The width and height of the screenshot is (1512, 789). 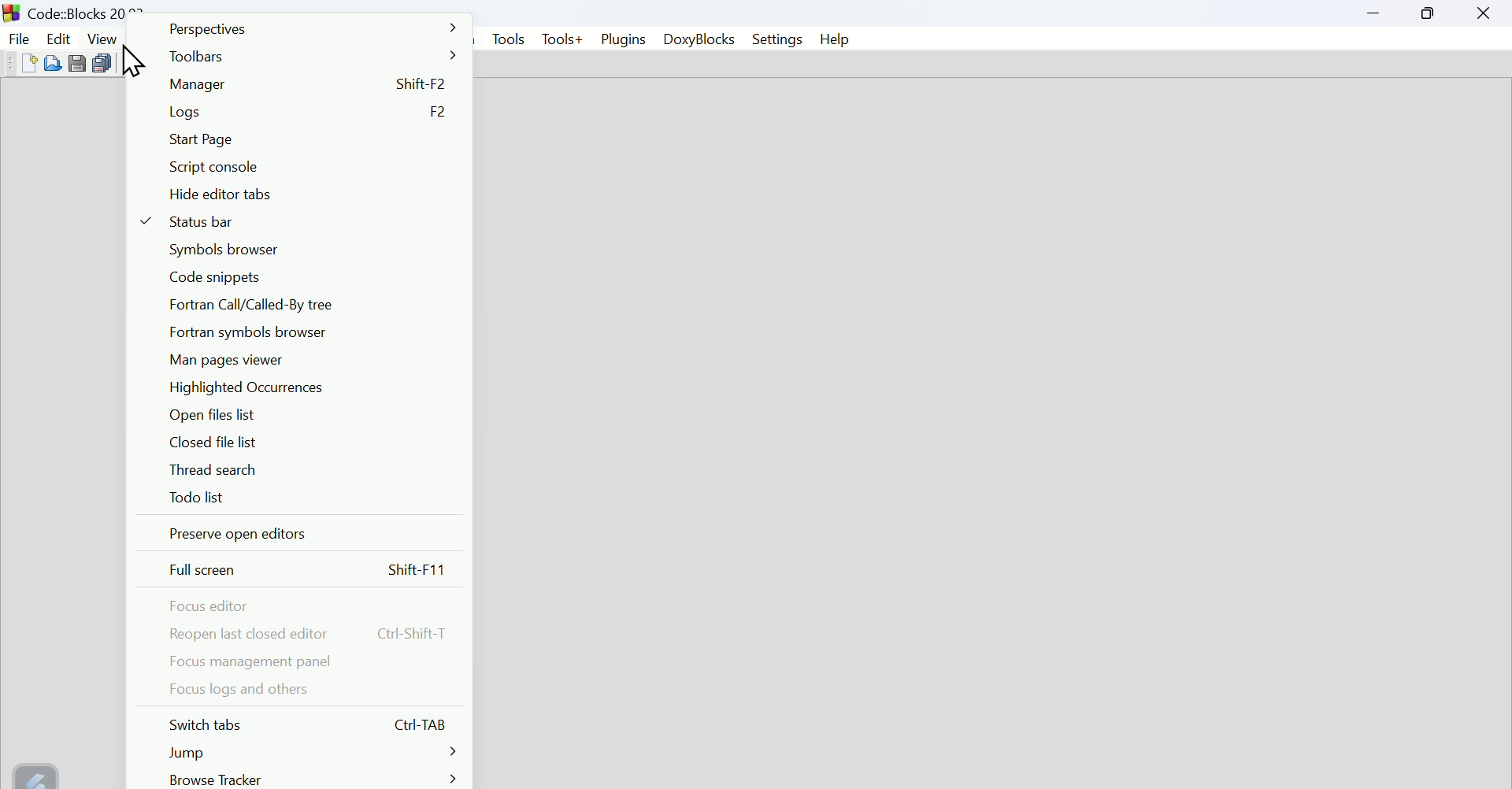 I want to click on Open files list, so click(x=217, y=416).